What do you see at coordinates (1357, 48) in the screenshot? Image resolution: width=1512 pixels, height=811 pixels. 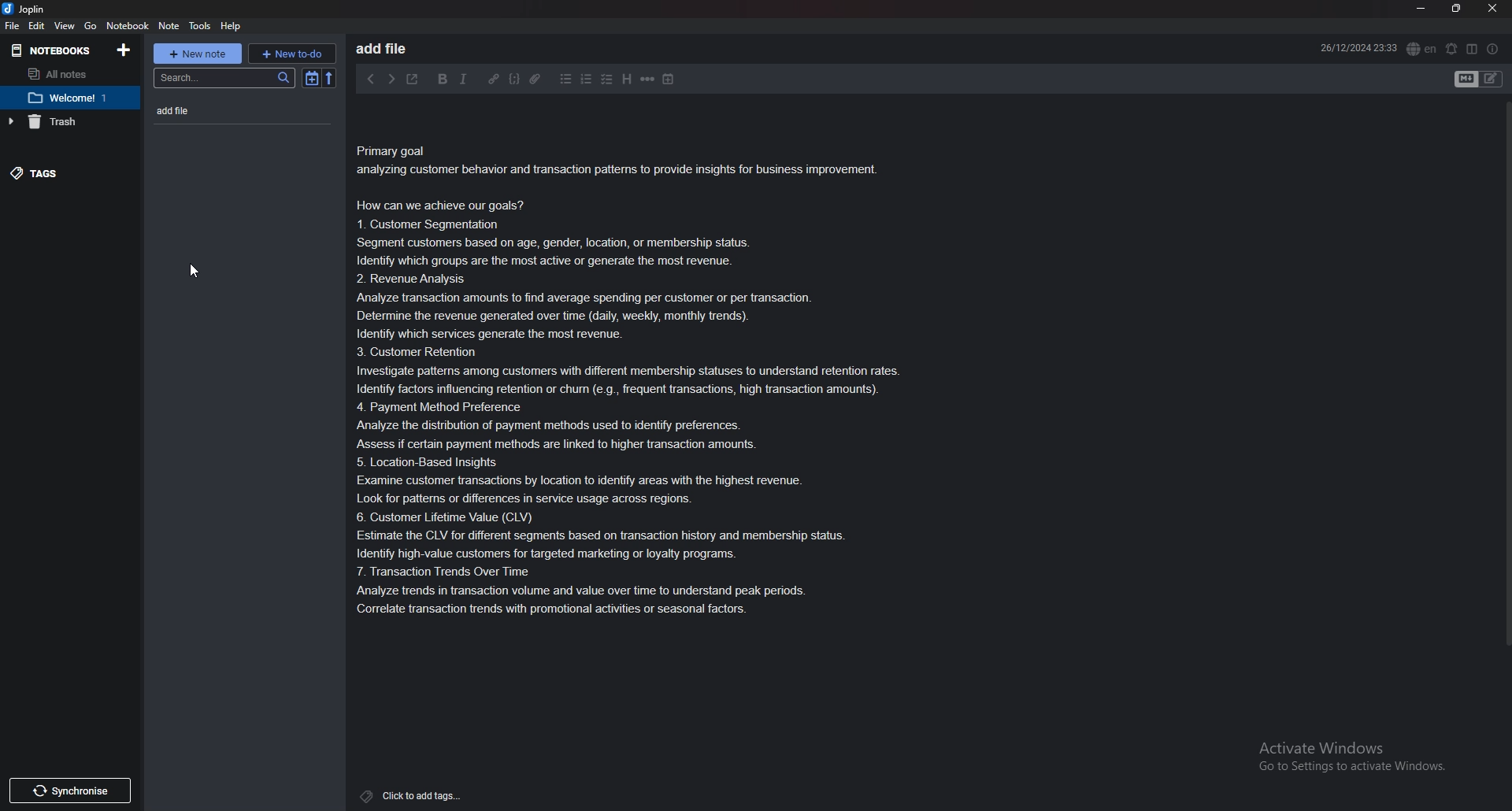 I see `Time` at bounding box center [1357, 48].